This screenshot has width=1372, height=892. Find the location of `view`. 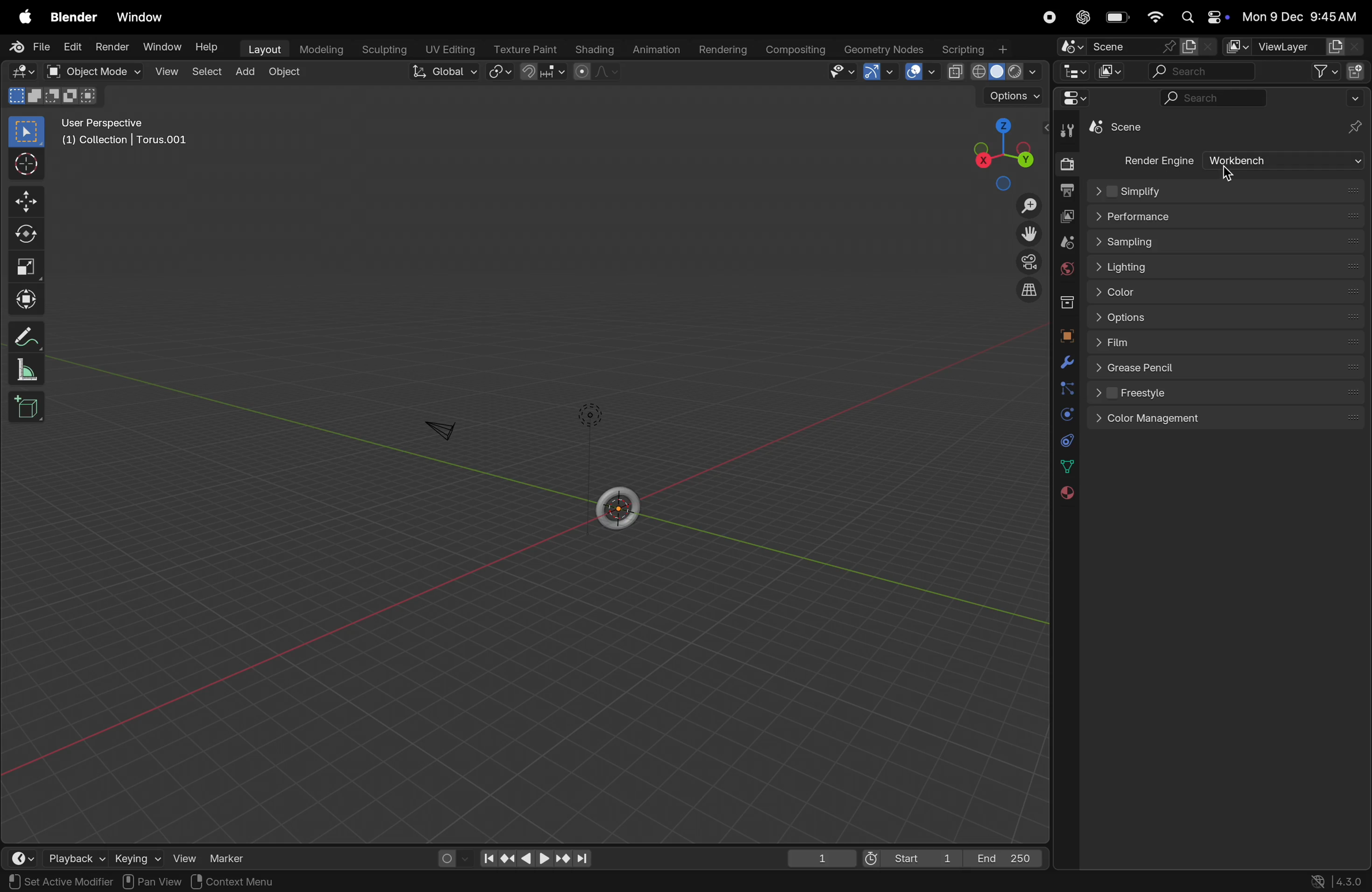

view is located at coordinates (846, 73).